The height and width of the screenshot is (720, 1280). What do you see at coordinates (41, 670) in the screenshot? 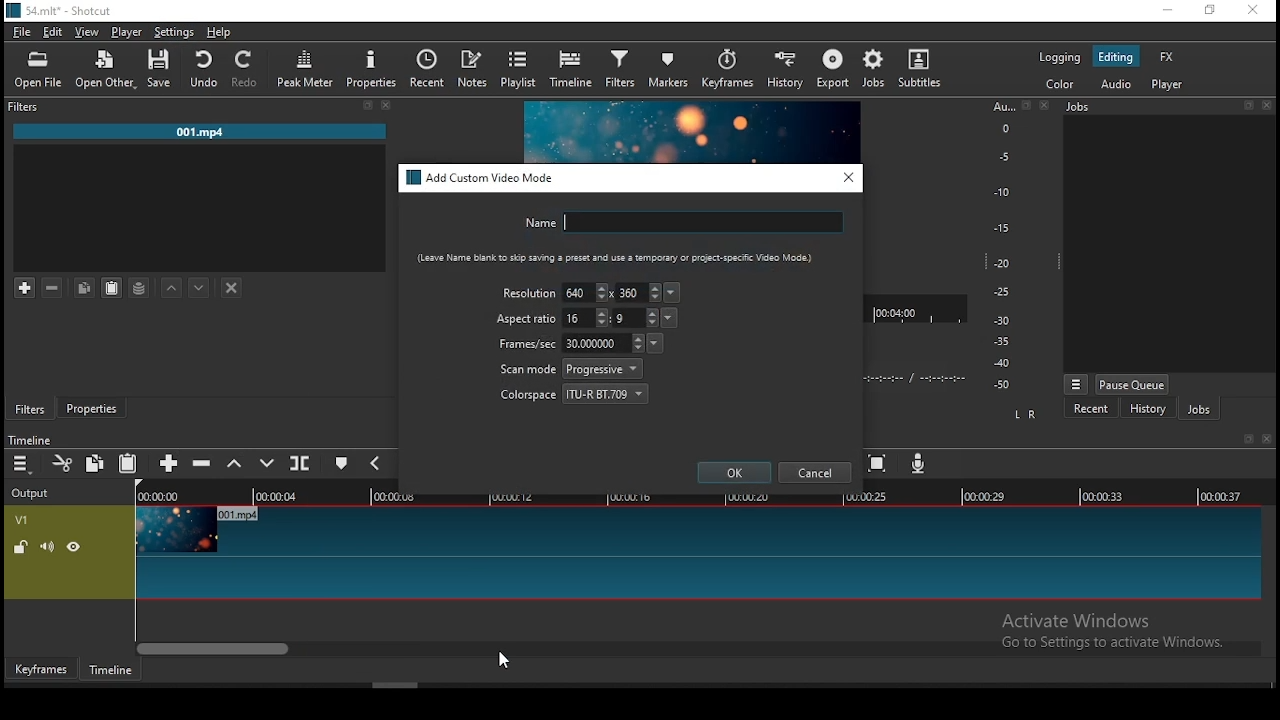
I see `keyframe` at bounding box center [41, 670].